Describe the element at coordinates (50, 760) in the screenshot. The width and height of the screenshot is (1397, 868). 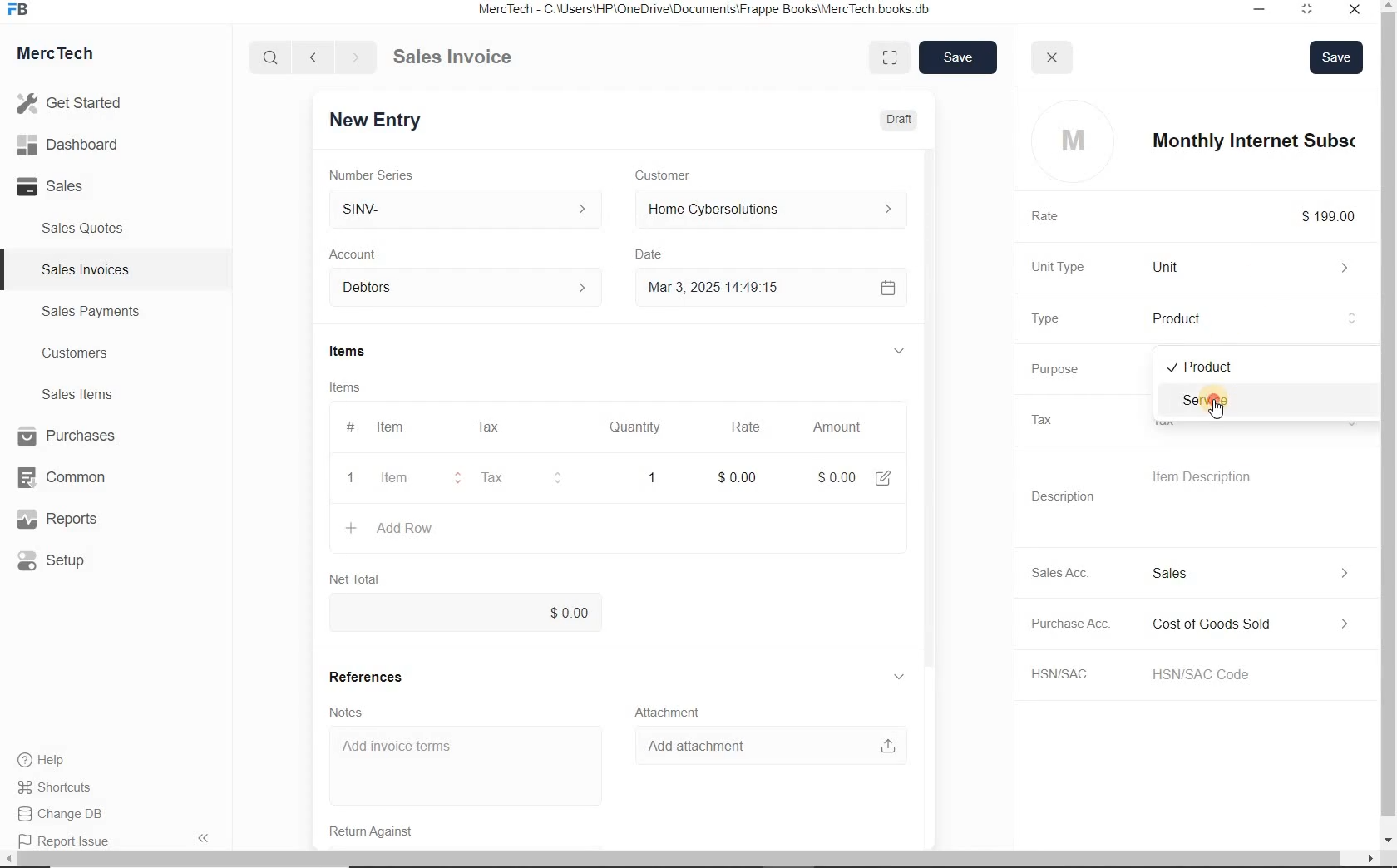
I see `Help` at that location.